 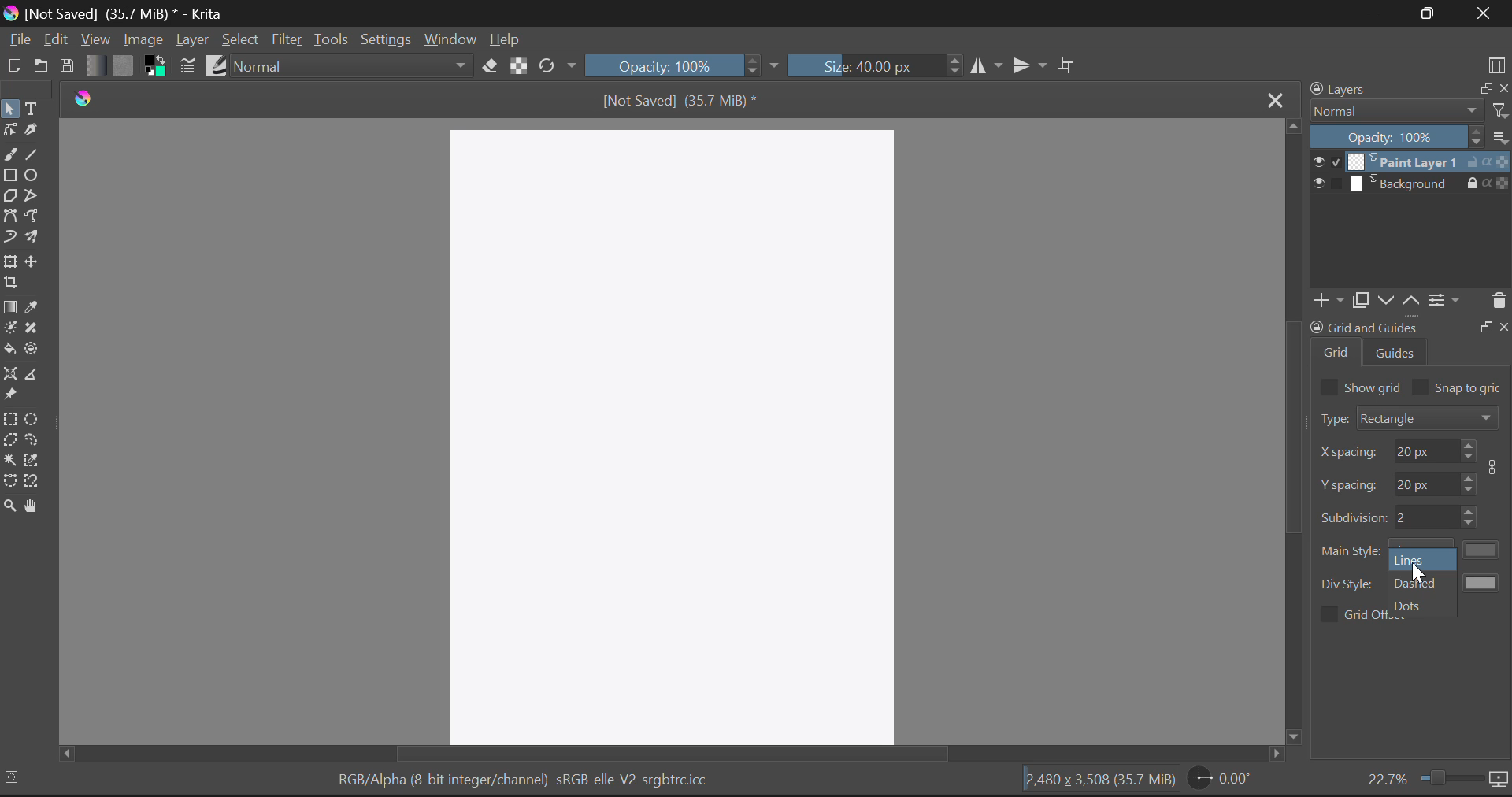 What do you see at coordinates (124, 65) in the screenshot?
I see `Pattern` at bounding box center [124, 65].